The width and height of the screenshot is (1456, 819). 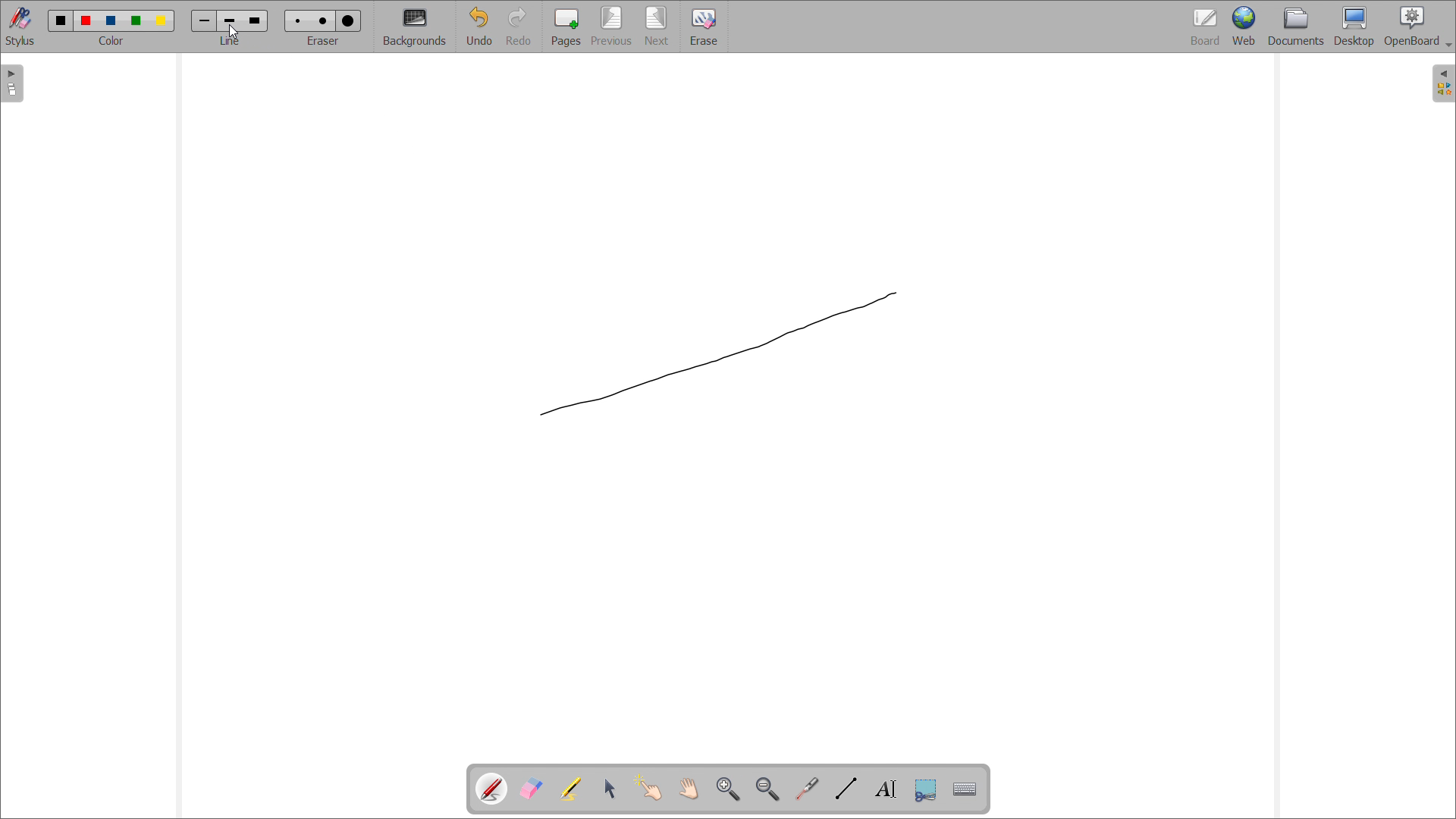 What do you see at coordinates (808, 787) in the screenshot?
I see `virtual laser pointer` at bounding box center [808, 787].